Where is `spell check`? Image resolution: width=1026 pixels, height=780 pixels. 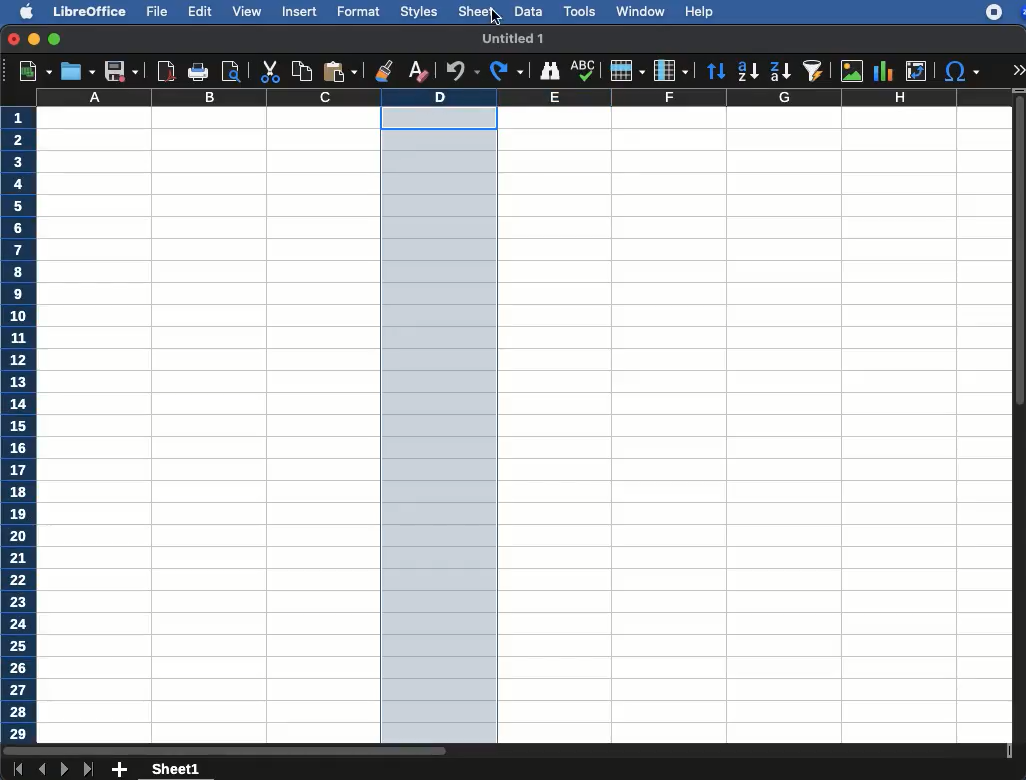
spell check is located at coordinates (583, 71).